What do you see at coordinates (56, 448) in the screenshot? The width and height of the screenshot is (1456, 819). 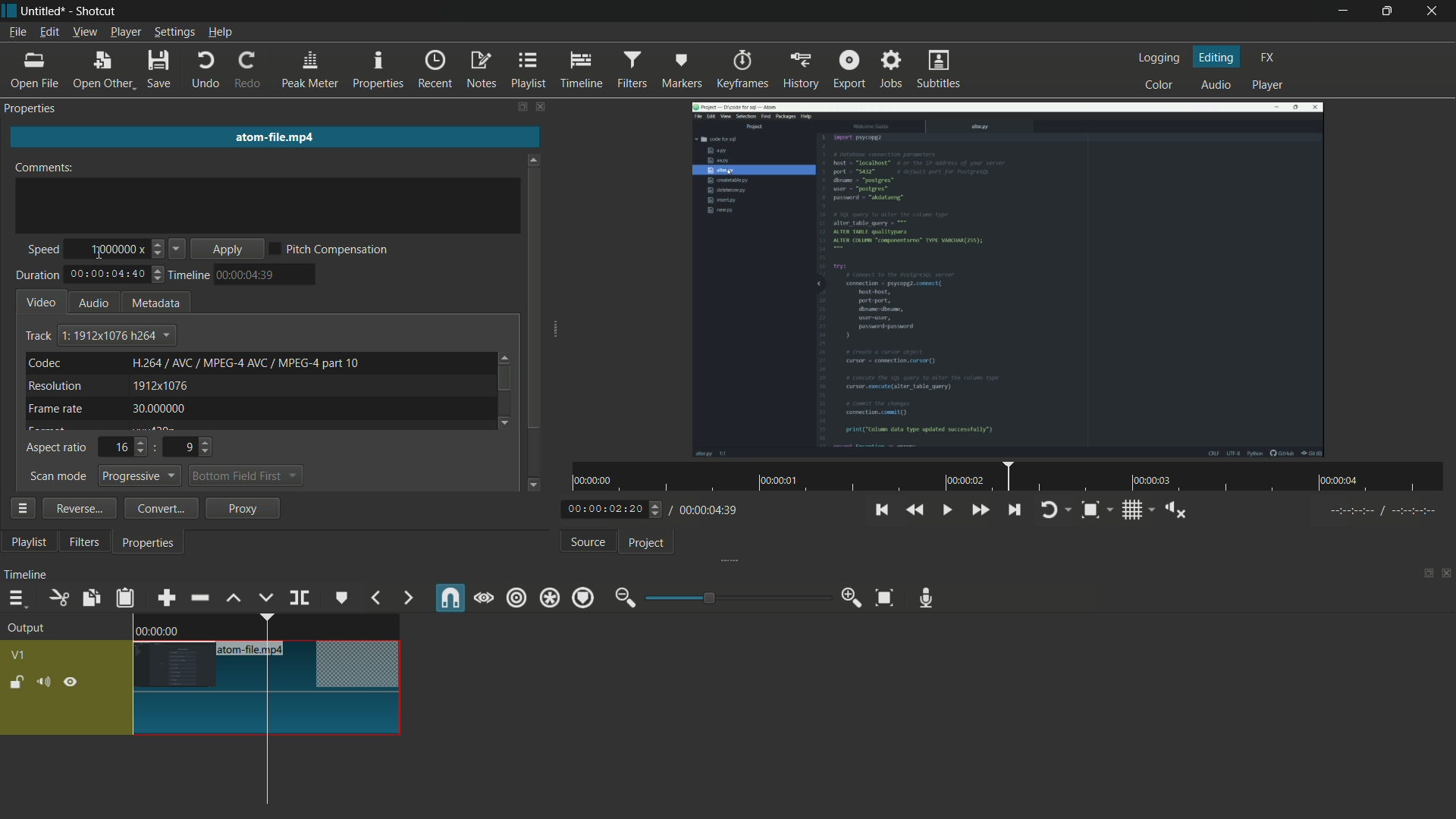 I see `aspect ratio` at bounding box center [56, 448].